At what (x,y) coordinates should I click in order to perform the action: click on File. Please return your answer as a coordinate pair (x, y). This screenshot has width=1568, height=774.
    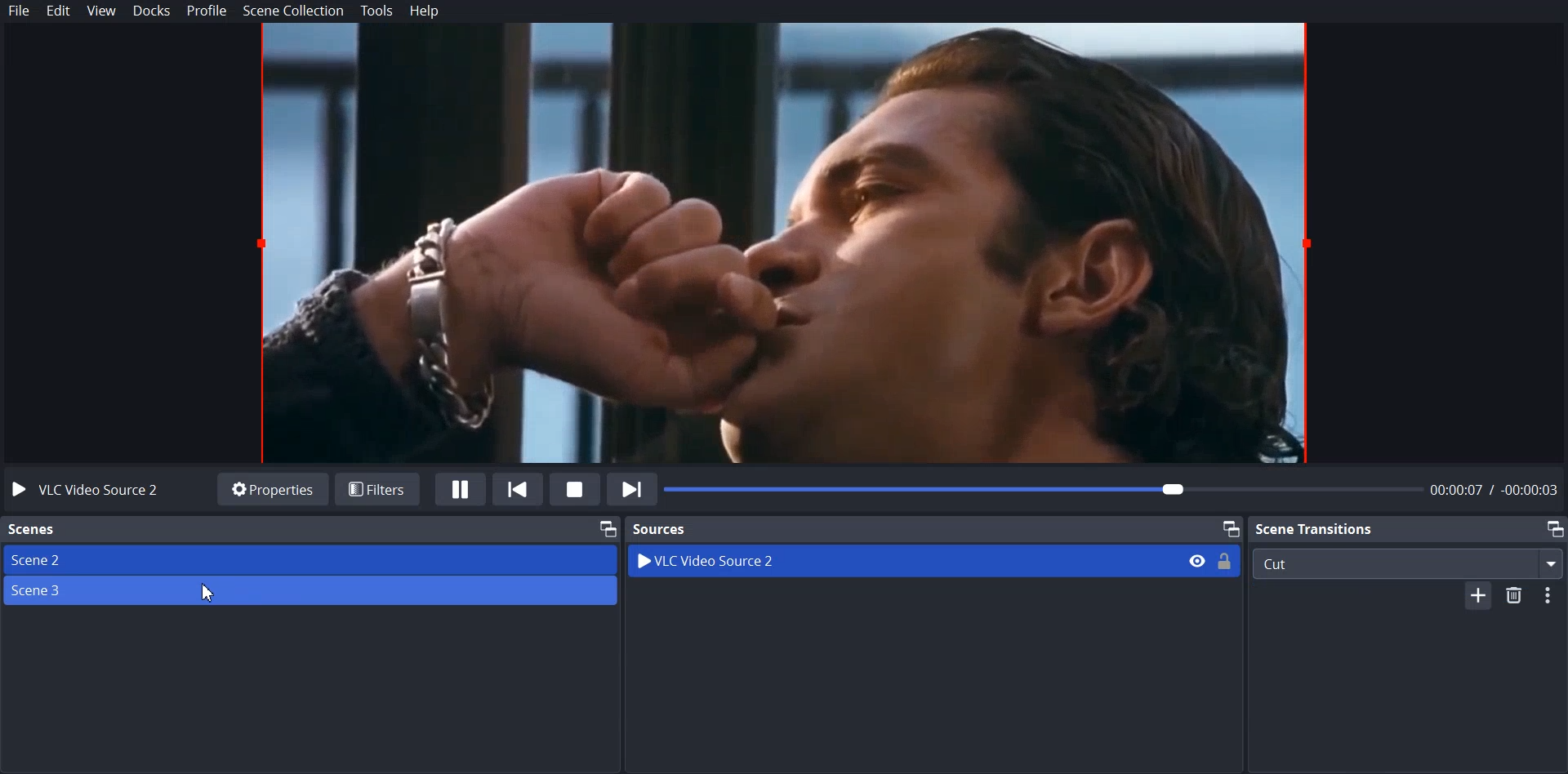
    Looking at the image, I should click on (20, 11).